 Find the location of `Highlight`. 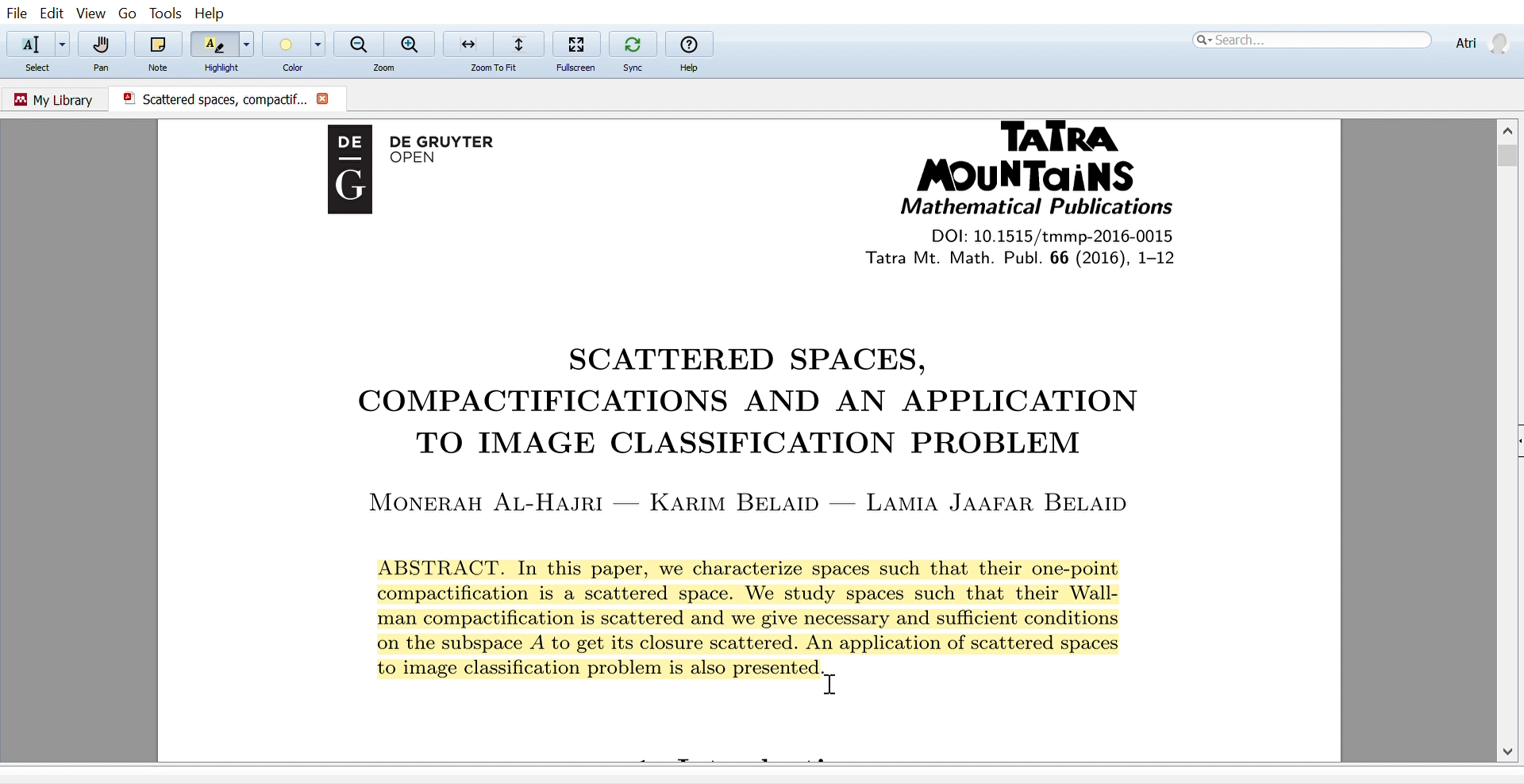

Highlight is located at coordinates (222, 67).